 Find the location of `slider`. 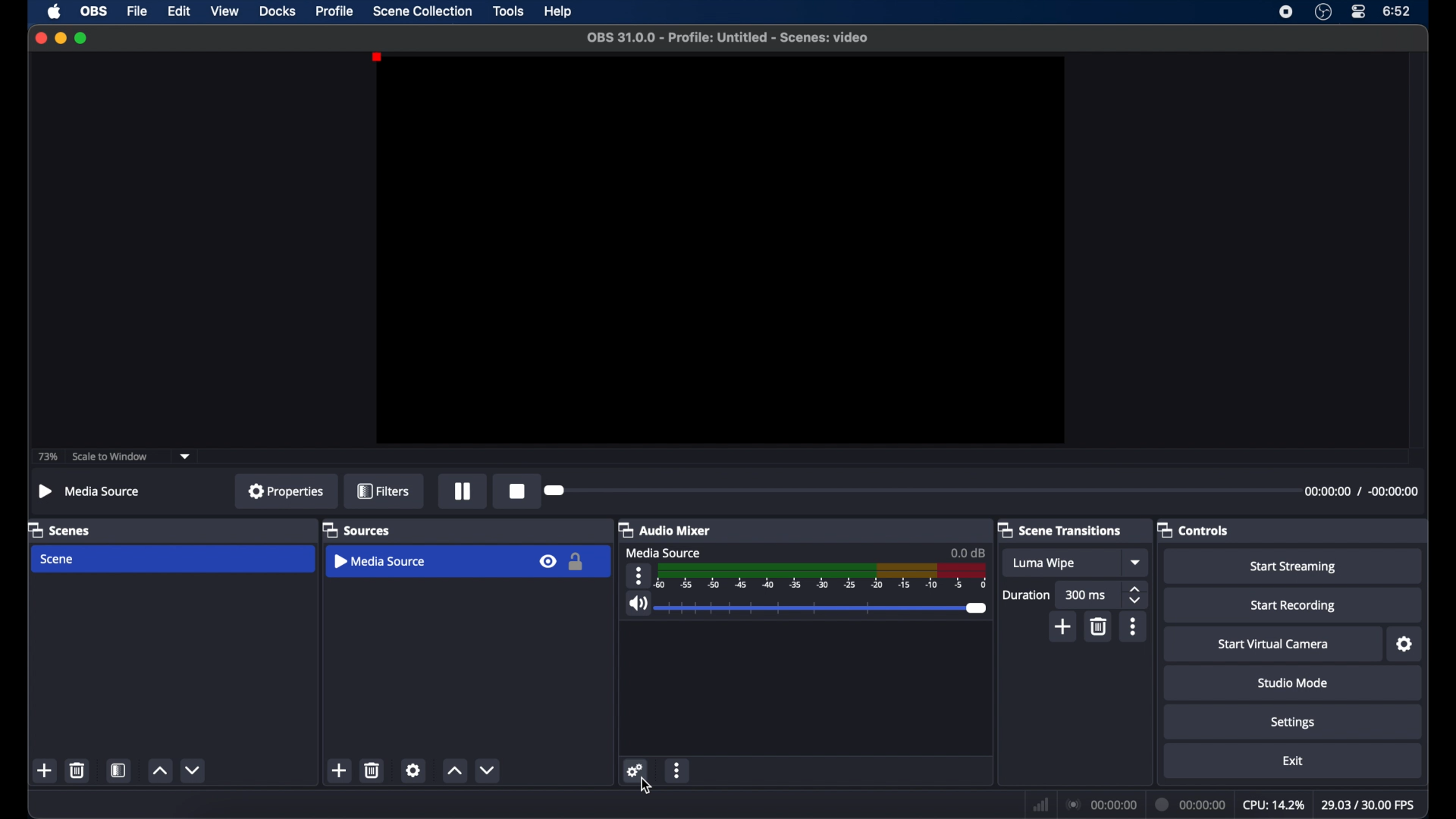

slider is located at coordinates (823, 609).